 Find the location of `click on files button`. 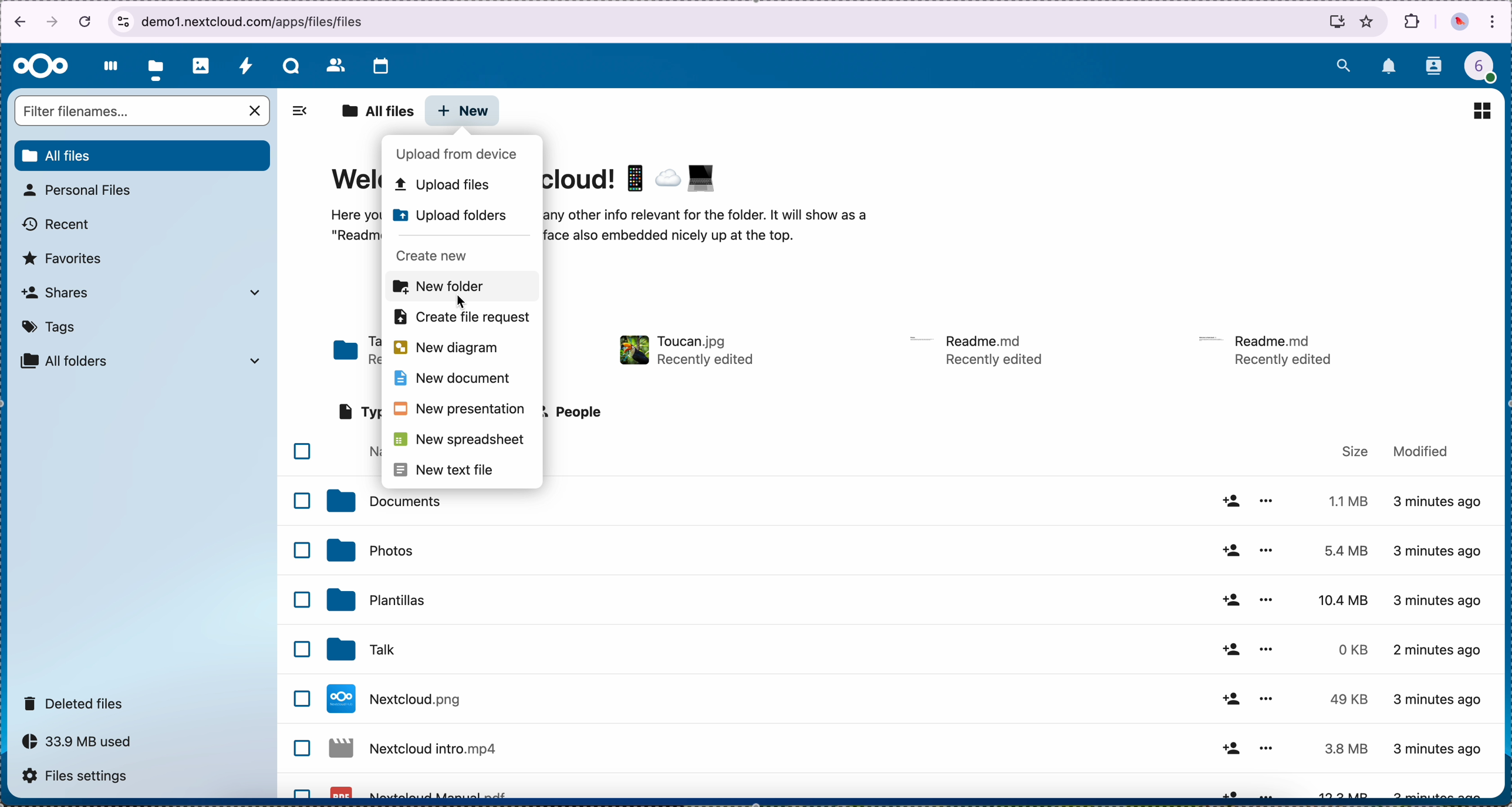

click on files button is located at coordinates (158, 66).